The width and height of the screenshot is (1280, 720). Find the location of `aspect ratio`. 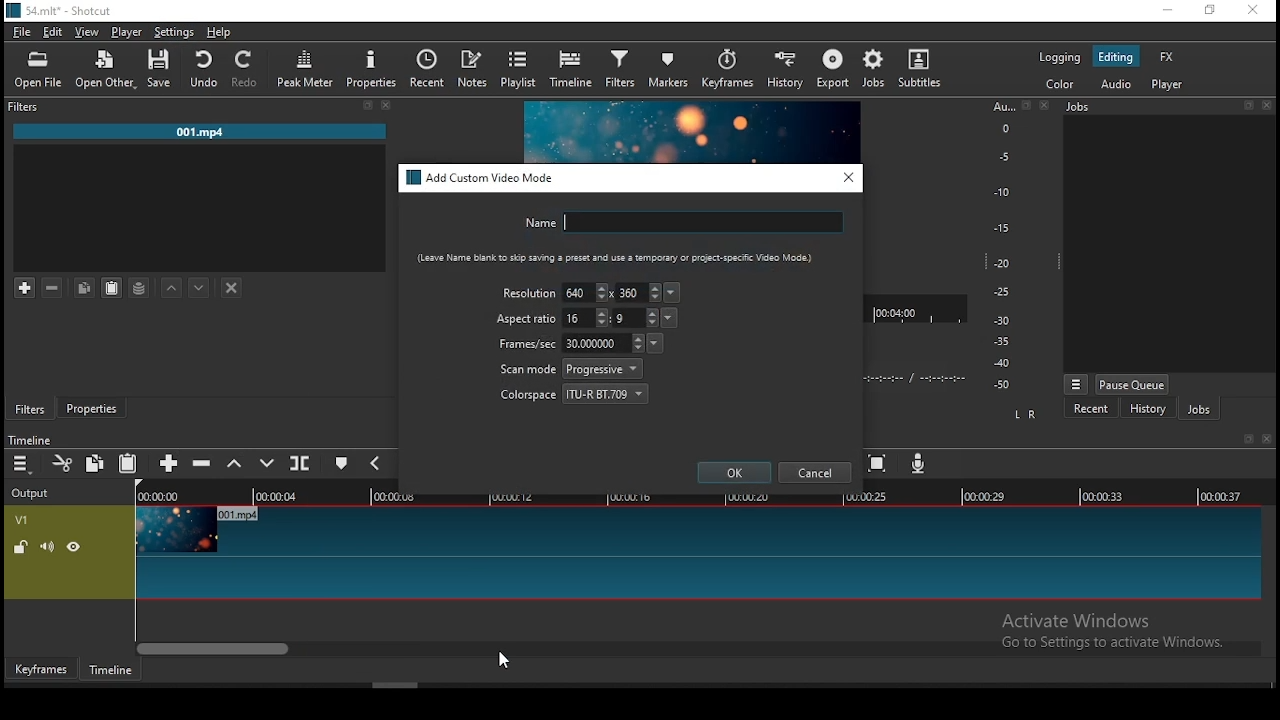

aspect ratio is located at coordinates (527, 319).